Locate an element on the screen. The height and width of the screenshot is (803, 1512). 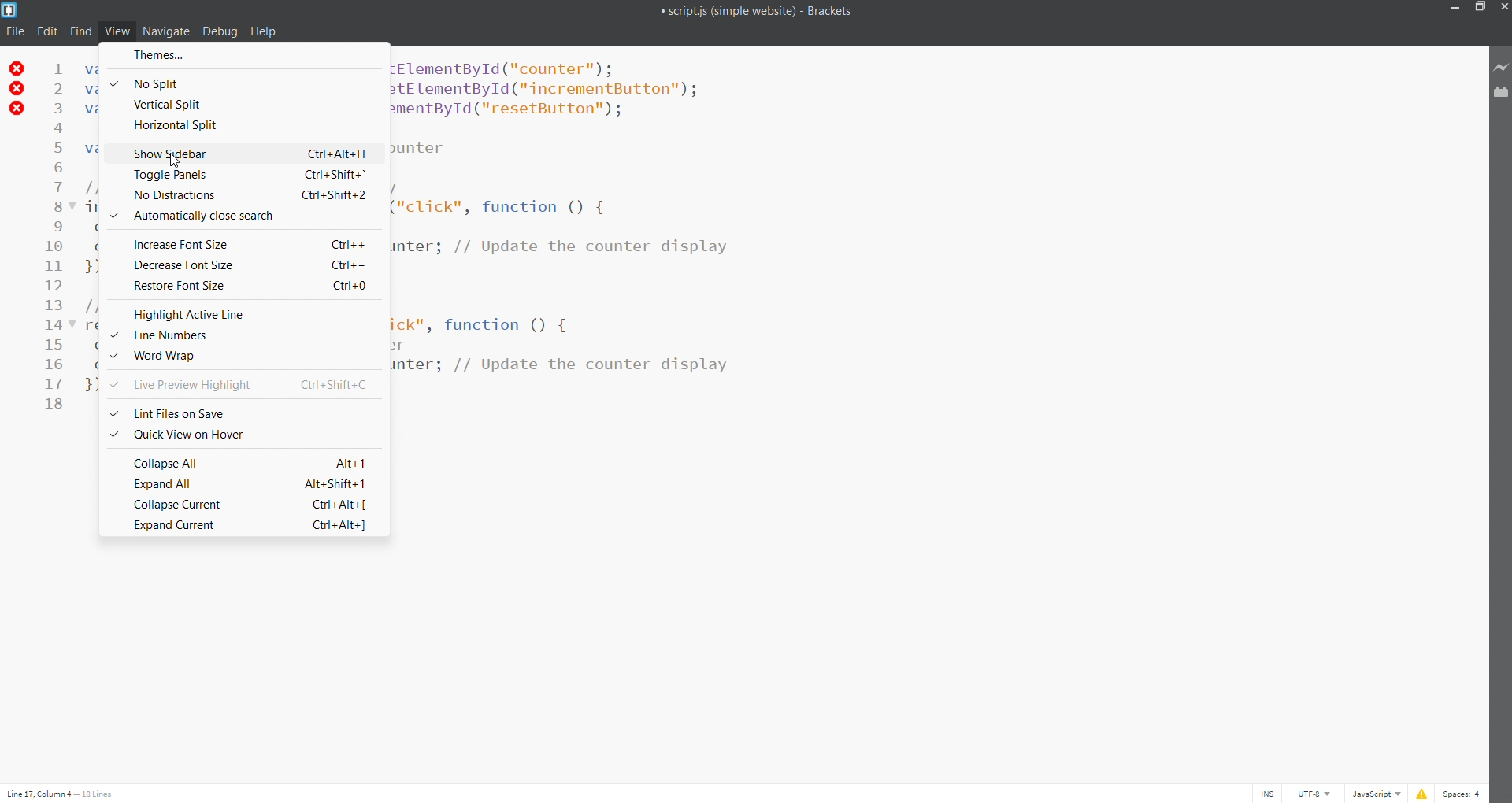
word wrap is located at coordinates (228, 354).